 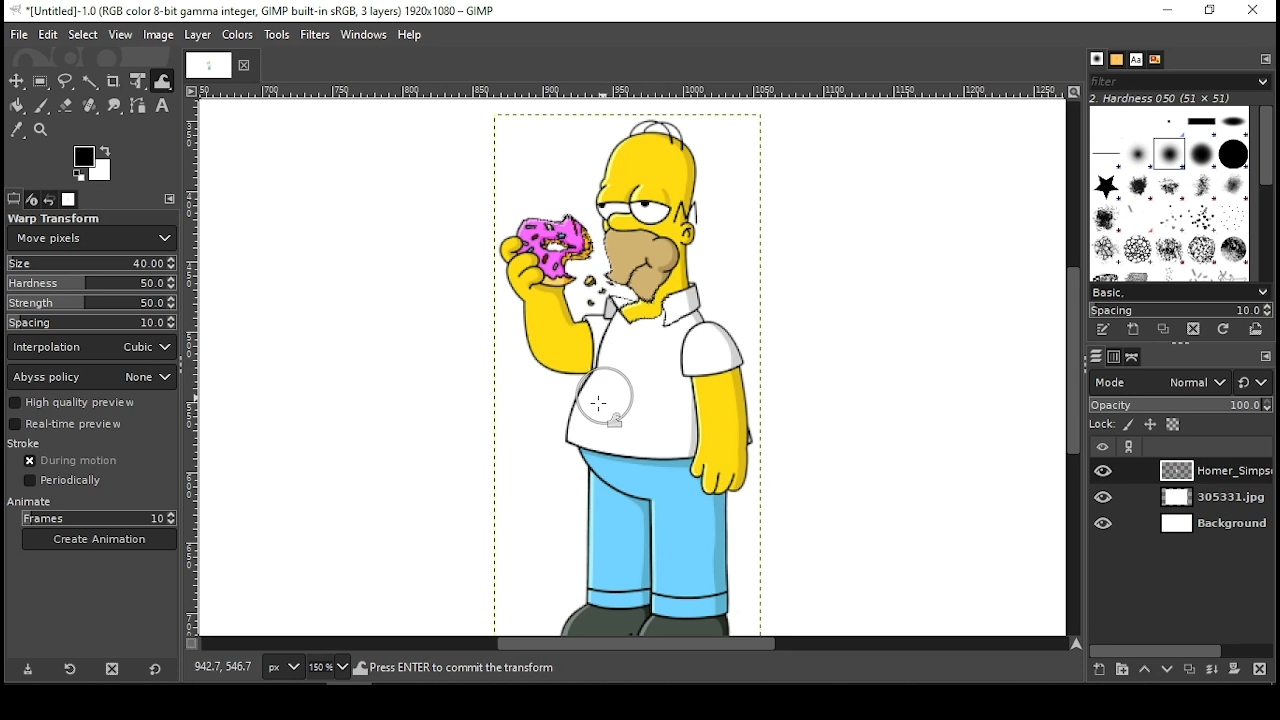 What do you see at coordinates (250, 63) in the screenshot?
I see `close` at bounding box center [250, 63].